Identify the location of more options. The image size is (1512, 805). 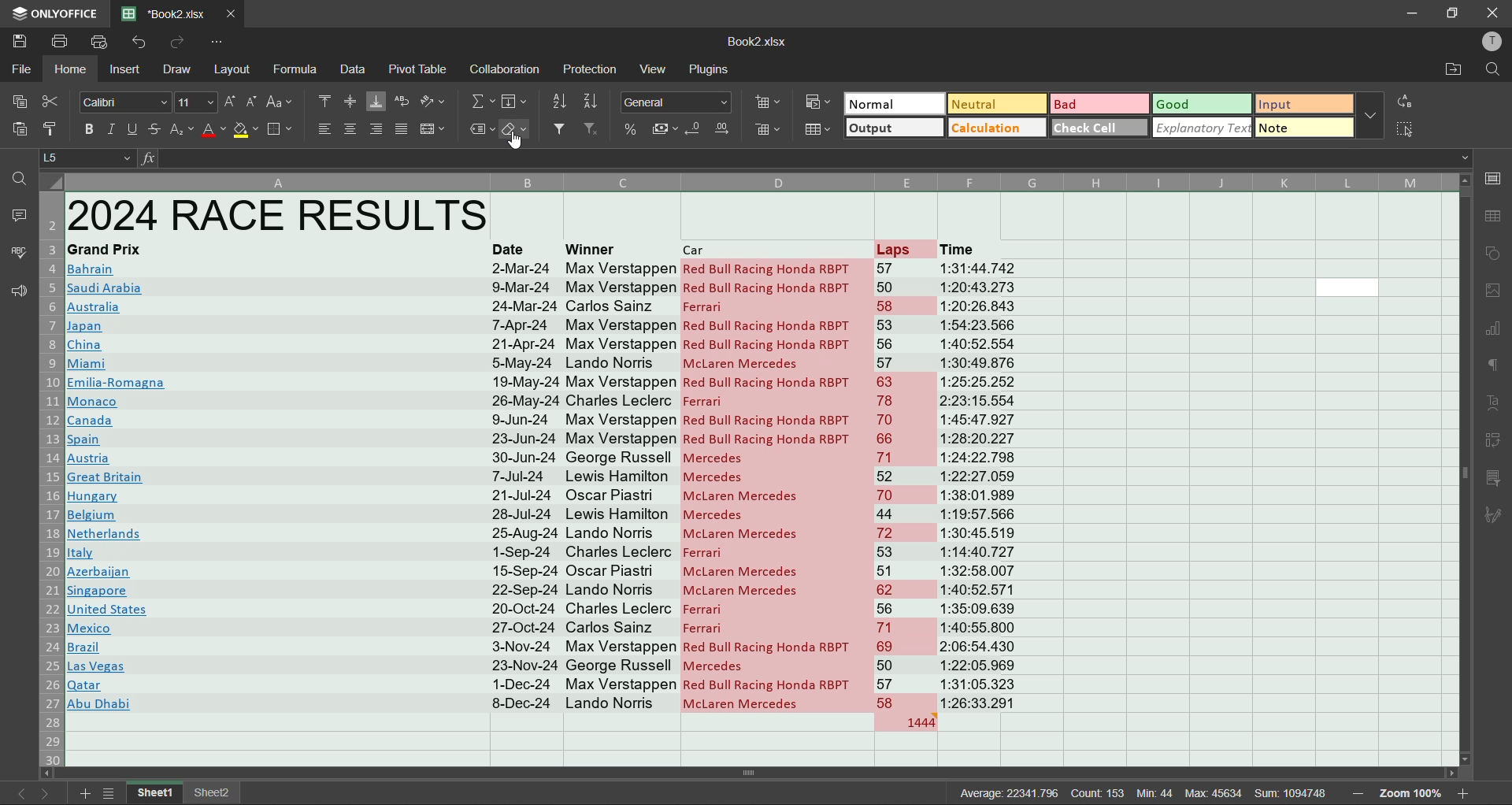
(1371, 116).